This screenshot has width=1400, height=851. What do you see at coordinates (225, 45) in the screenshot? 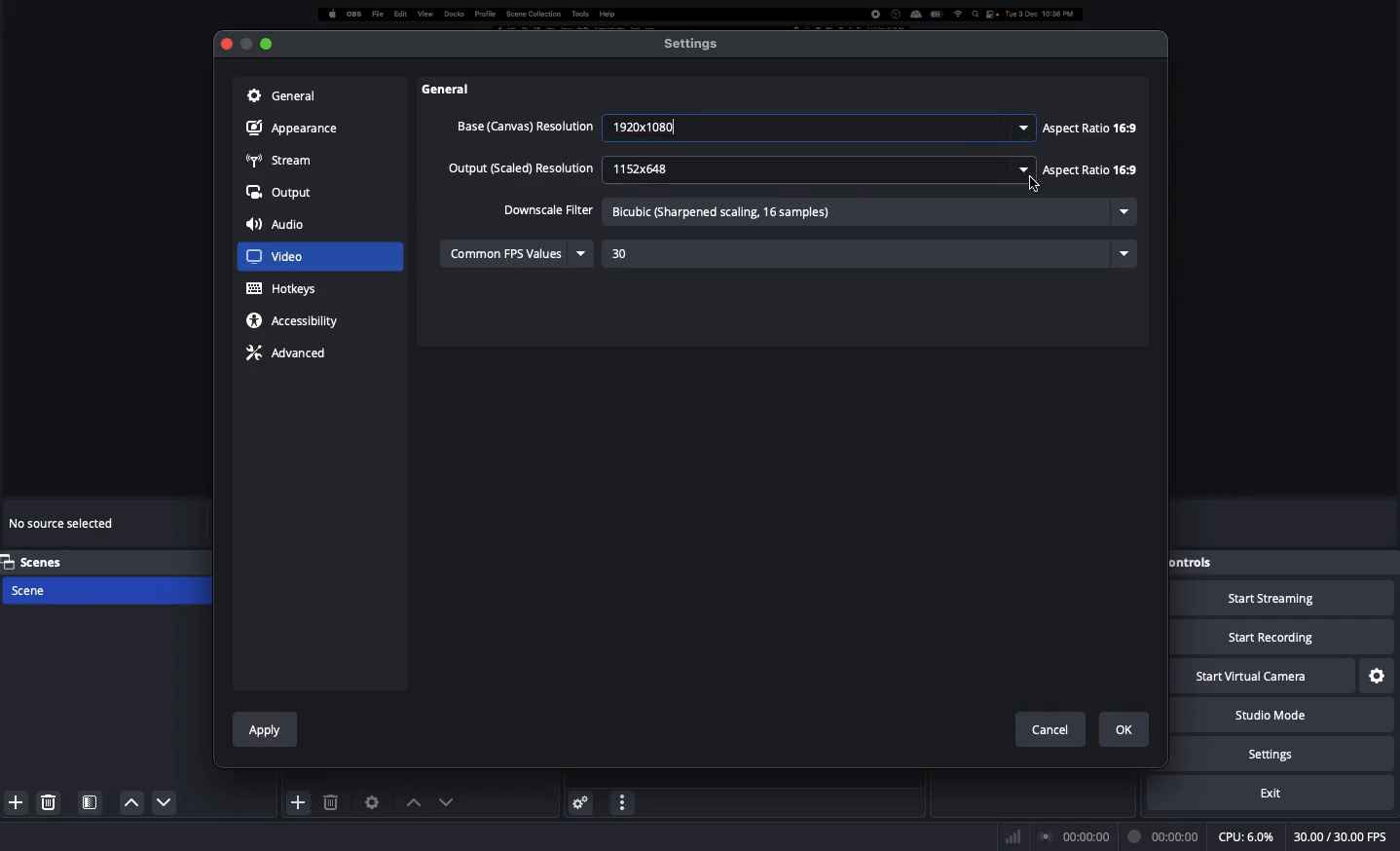
I see `Close` at bounding box center [225, 45].